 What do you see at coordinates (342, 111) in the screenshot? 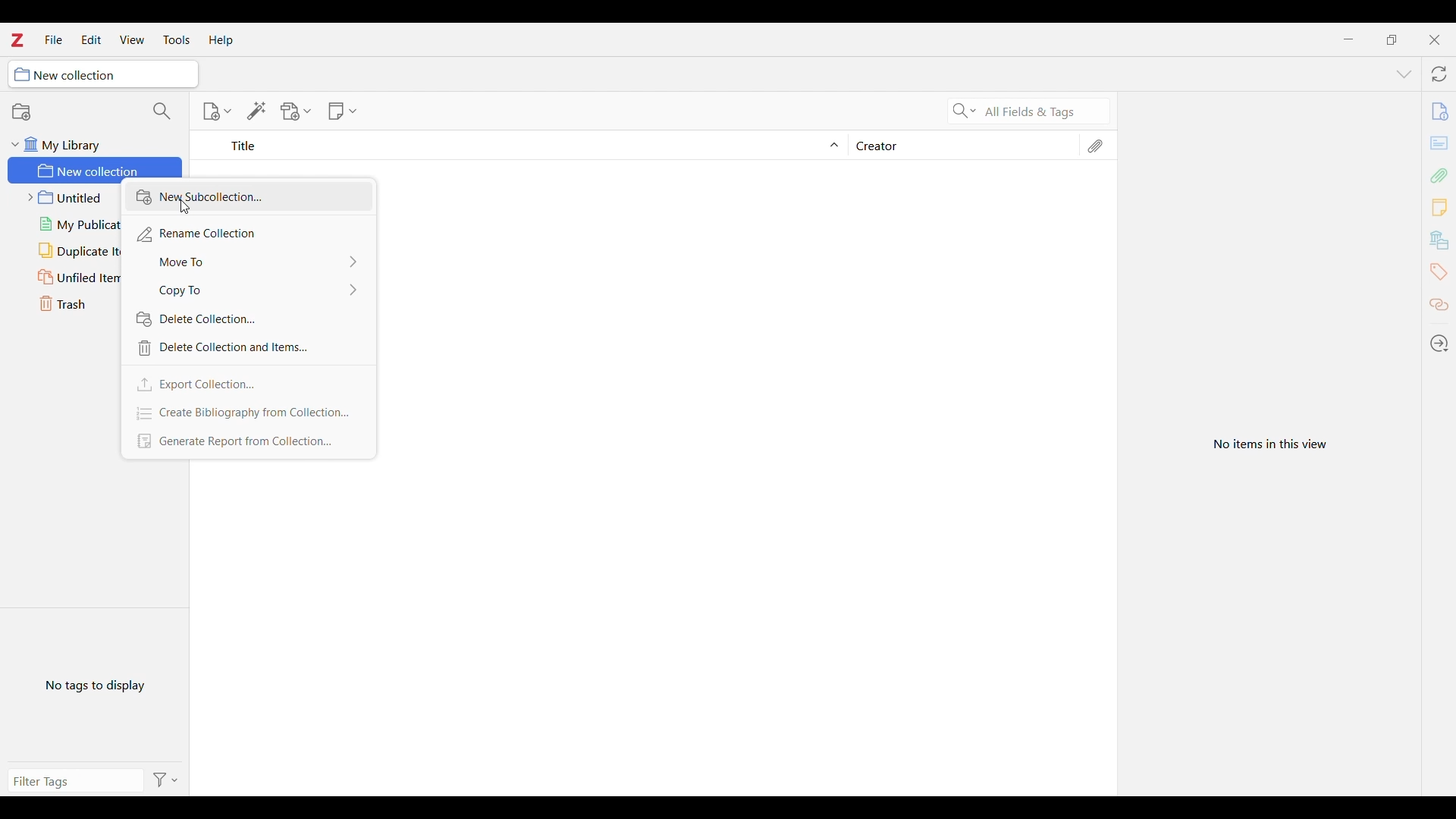
I see `New note options` at bounding box center [342, 111].